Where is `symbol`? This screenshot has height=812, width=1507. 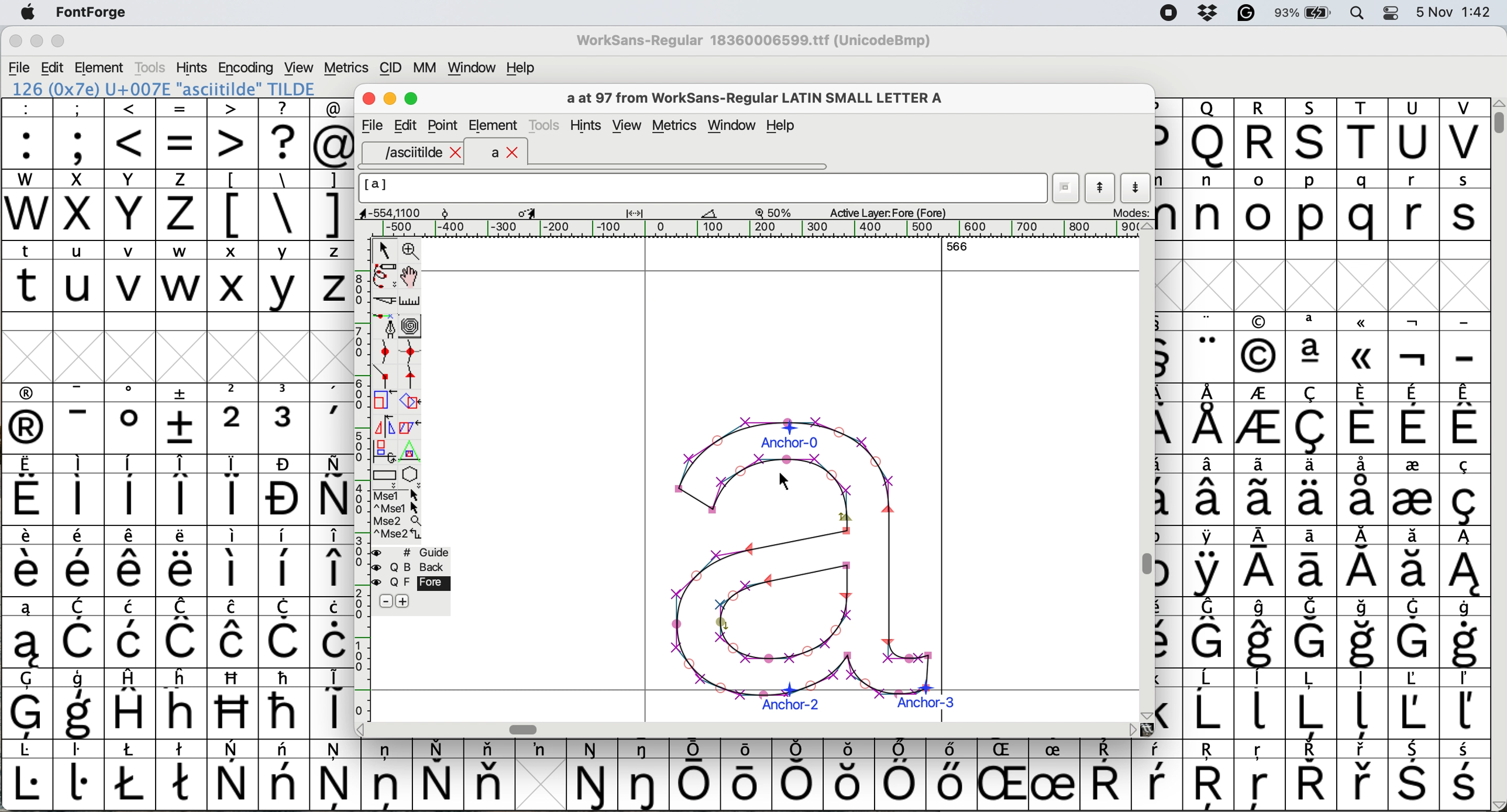
symbol is located at coordinates (1310, 703).